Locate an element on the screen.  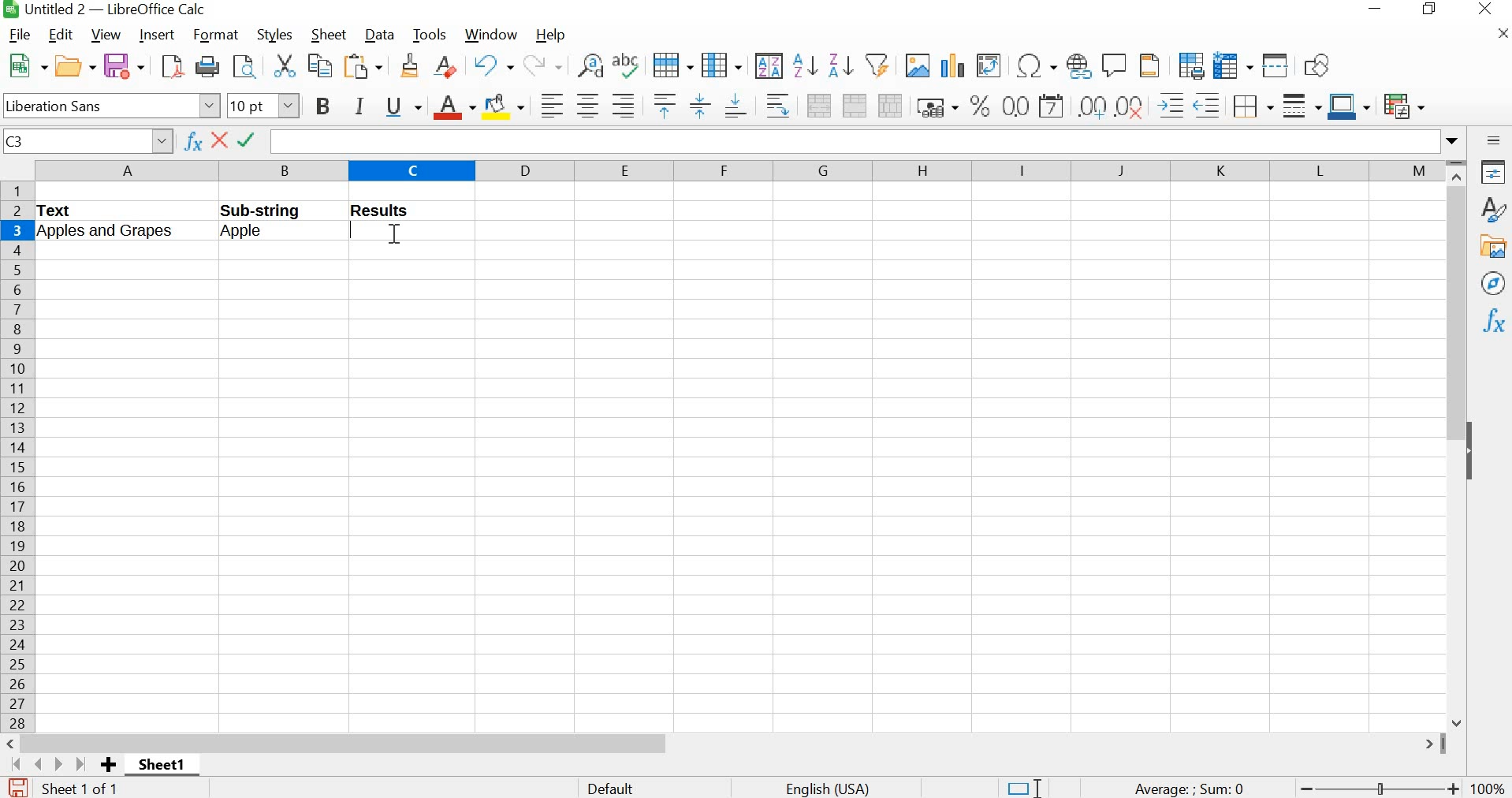
borders is located at coordinates (1252, 104).